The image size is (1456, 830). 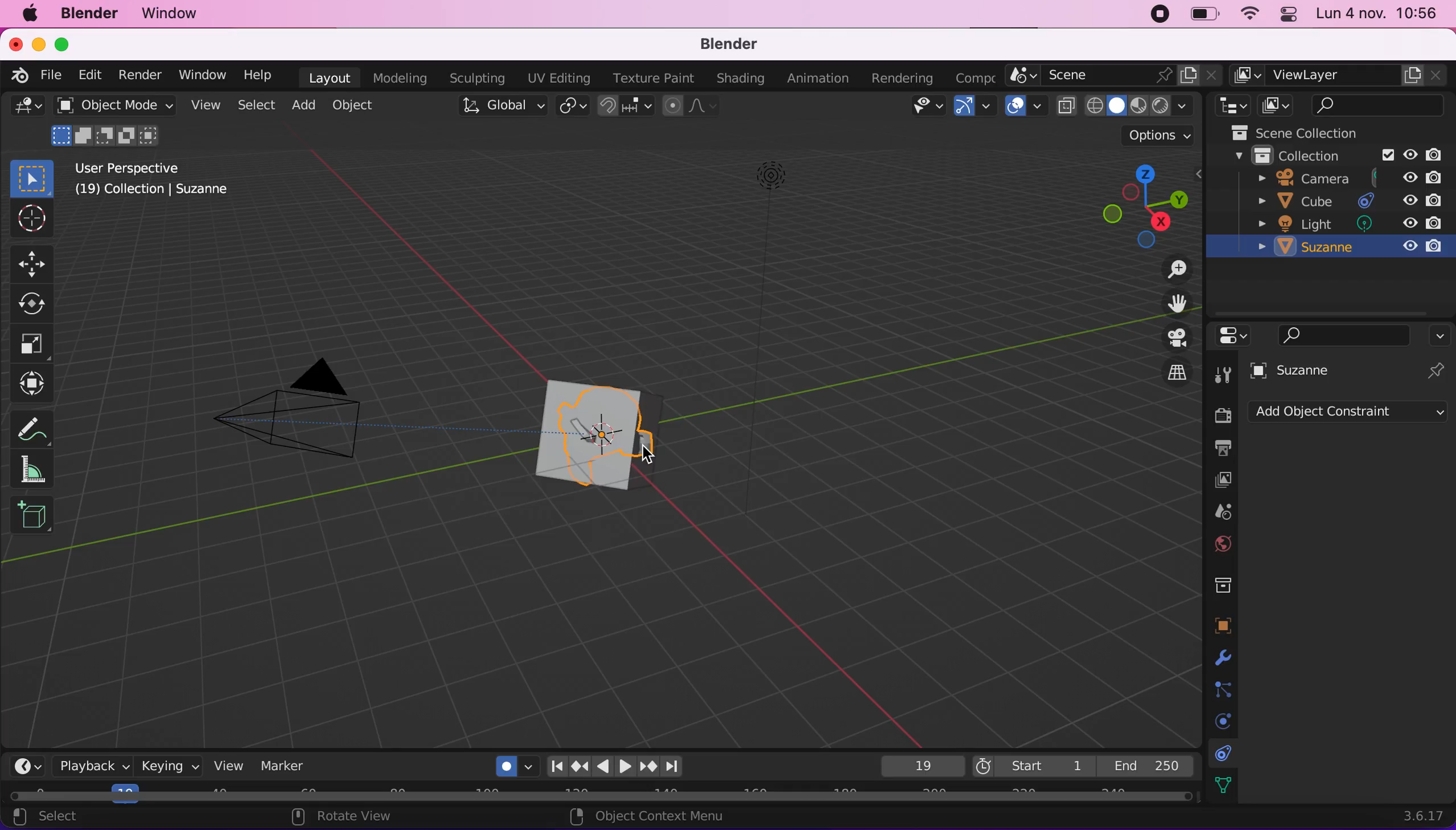 What do you see at coordinates (355, 105) in the screenshot?
I see `object` at bounding box center [355, 105].